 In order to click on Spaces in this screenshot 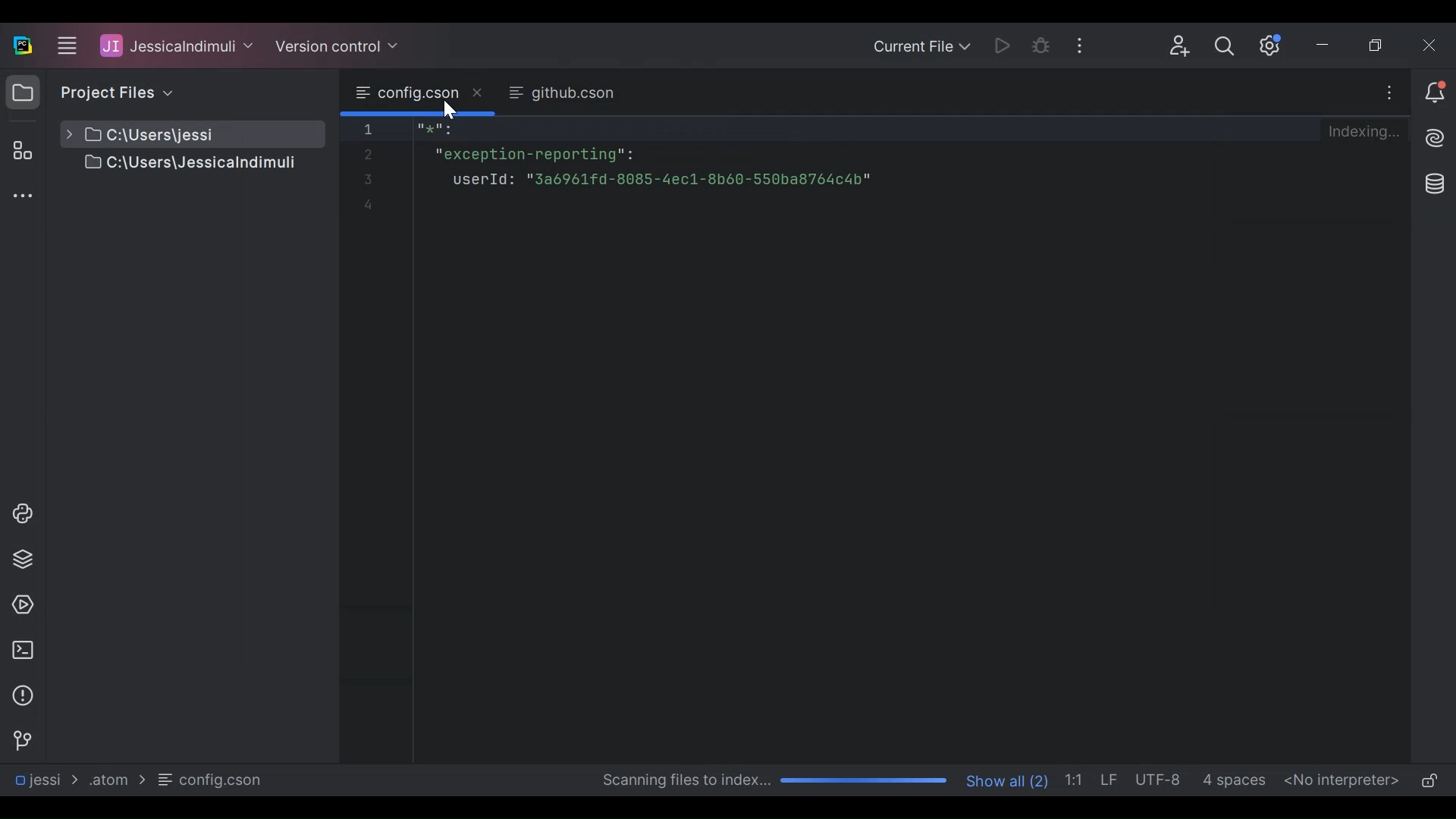, I will do `click(1236, 780)`.